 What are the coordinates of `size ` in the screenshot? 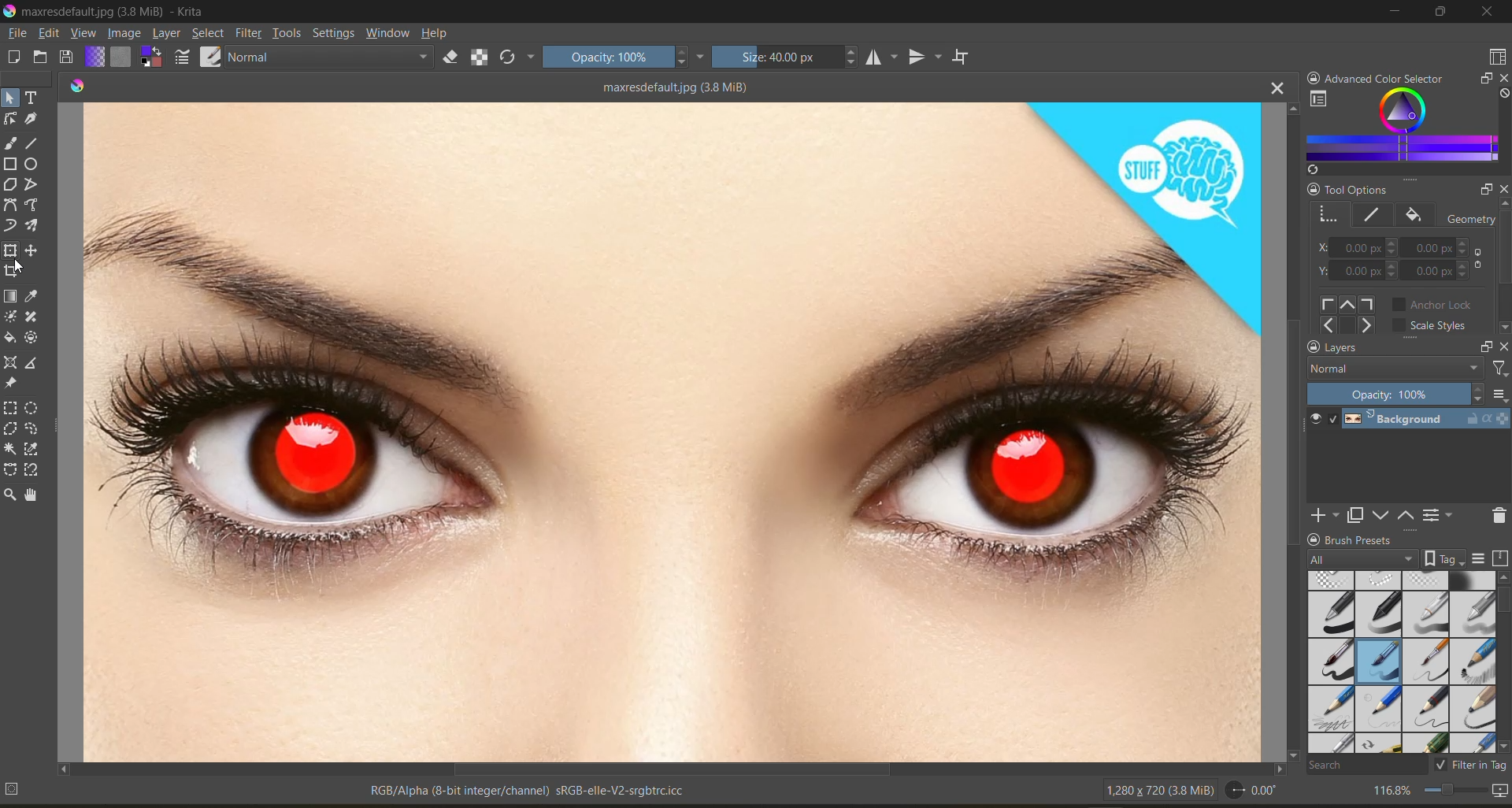 It's located at (789, 57).